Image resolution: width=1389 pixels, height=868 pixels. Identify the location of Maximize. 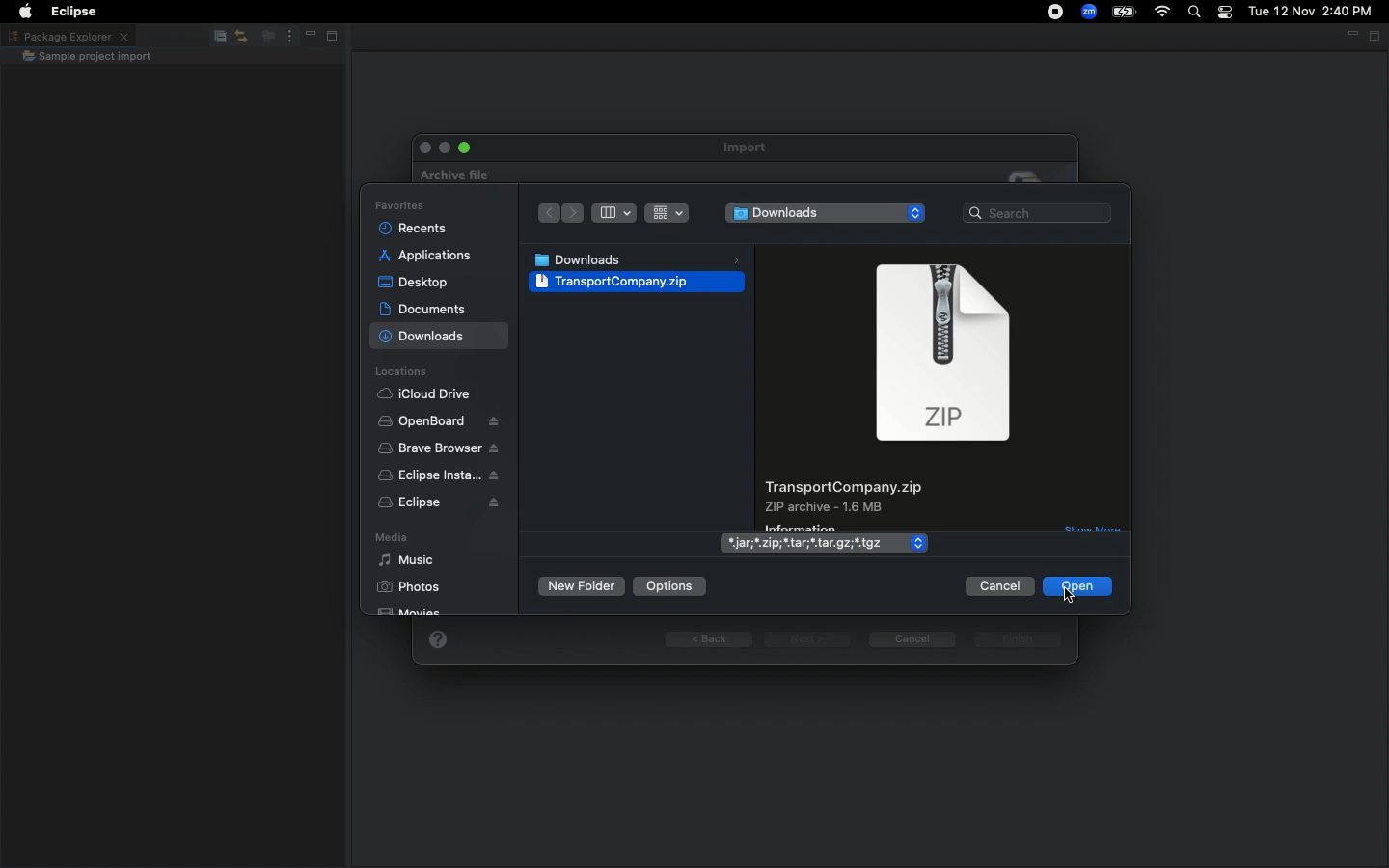
(1375, 36).